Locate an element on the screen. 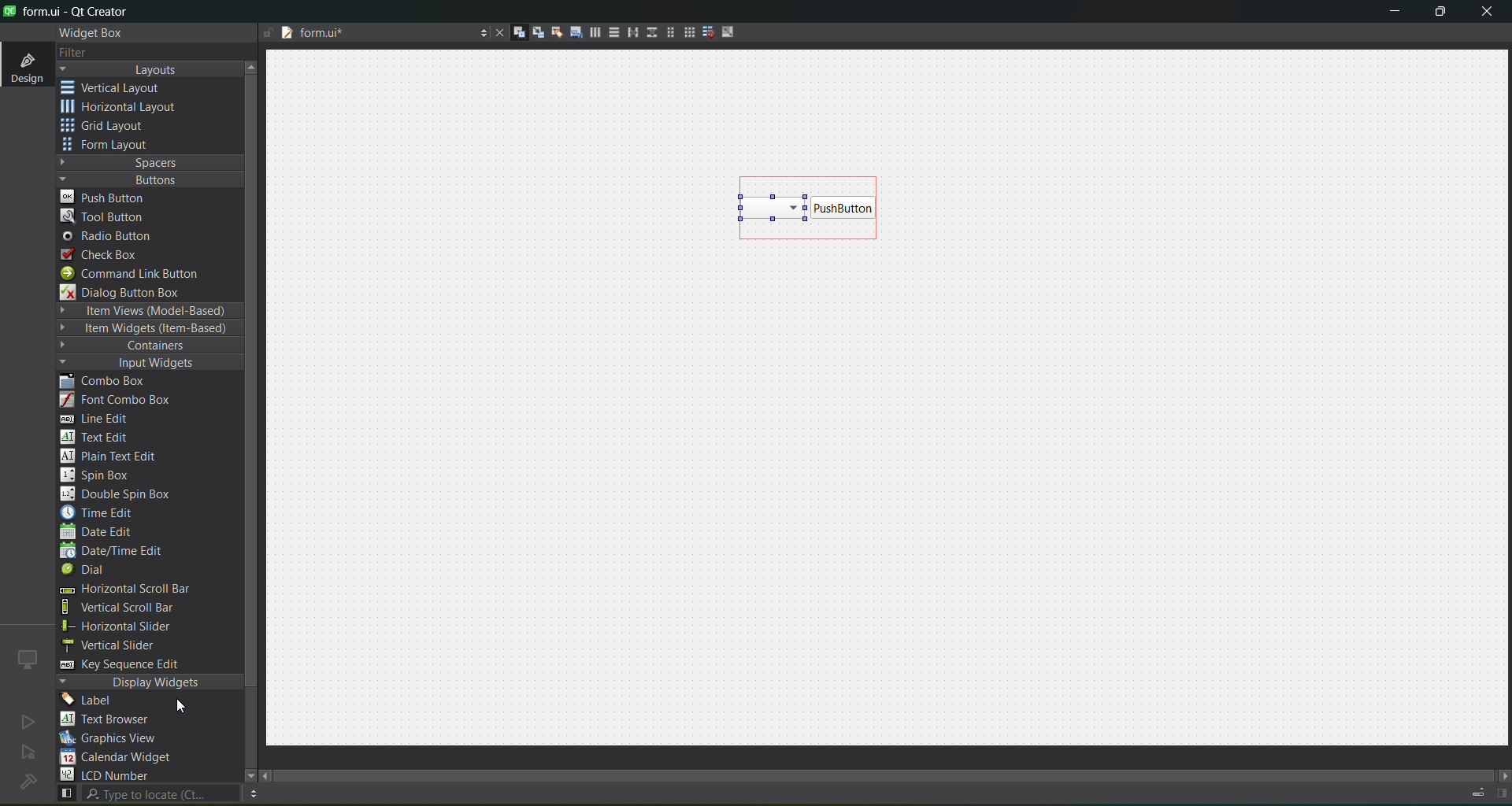 This screenshot has height=806, width=1512. edit widgets is located at coordinates (513, 33).